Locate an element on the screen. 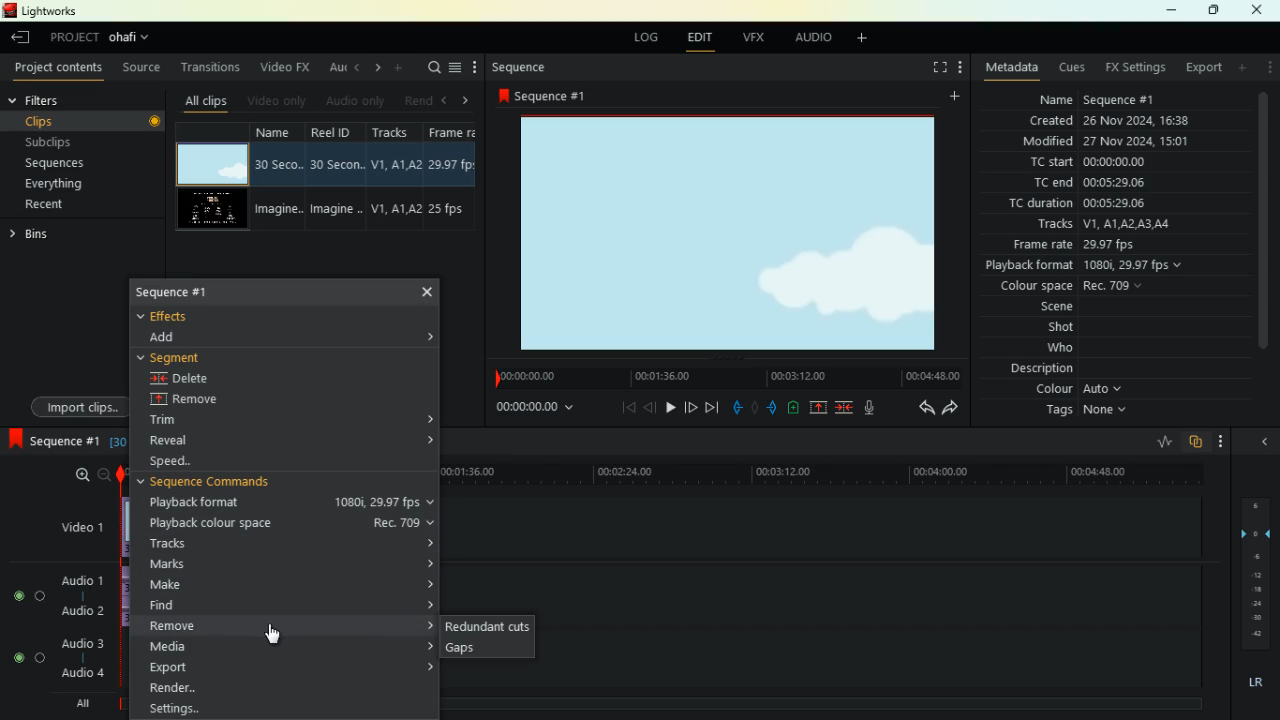 The height and width of the screenshot is (720, 1280). menu is located at coordinates (456, 69).